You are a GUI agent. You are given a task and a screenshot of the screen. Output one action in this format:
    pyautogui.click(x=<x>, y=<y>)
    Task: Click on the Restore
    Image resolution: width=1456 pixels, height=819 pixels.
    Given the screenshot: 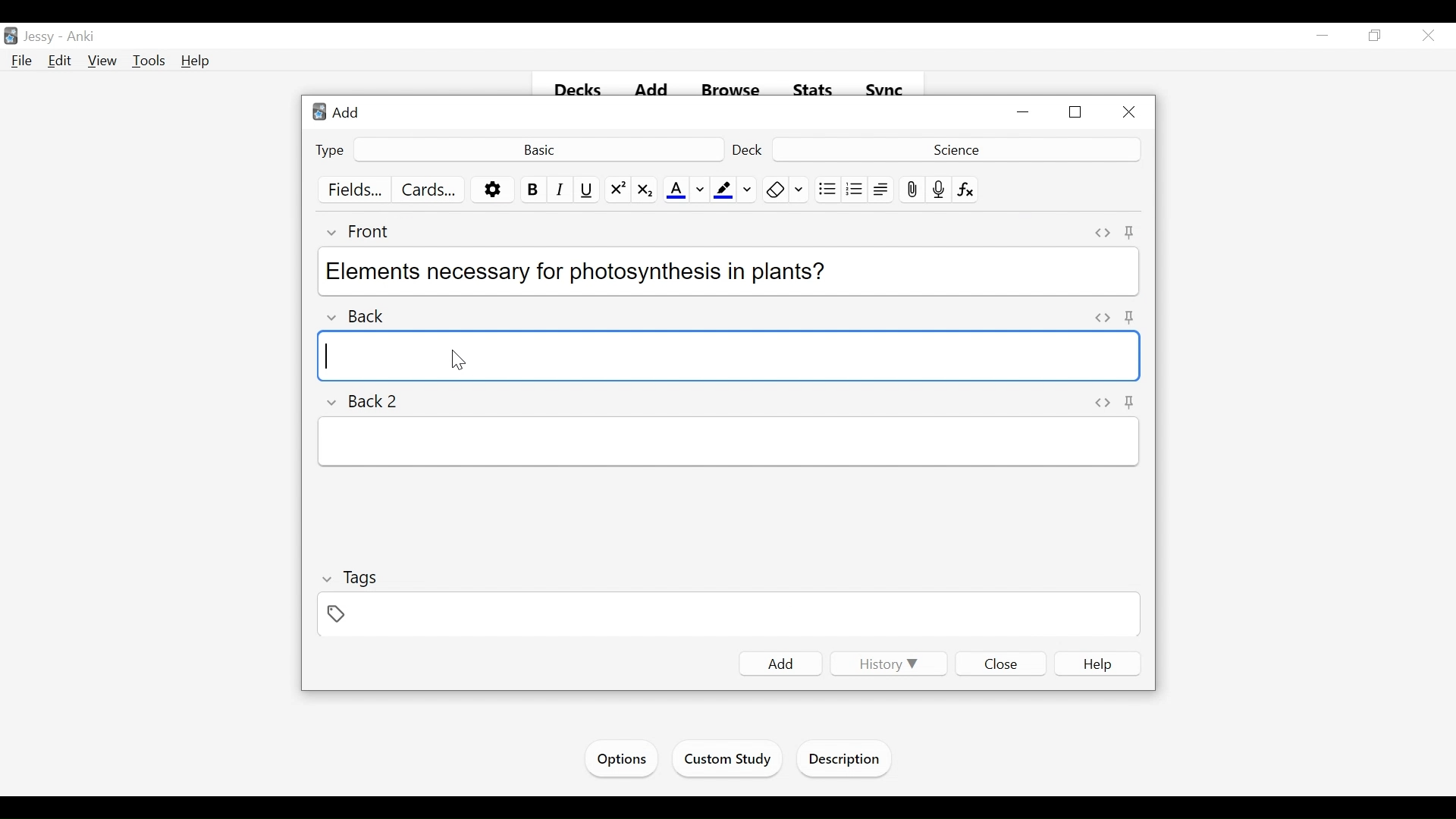 What is the action you would take?
    pyautogui.click(x=1077, y=113)
    